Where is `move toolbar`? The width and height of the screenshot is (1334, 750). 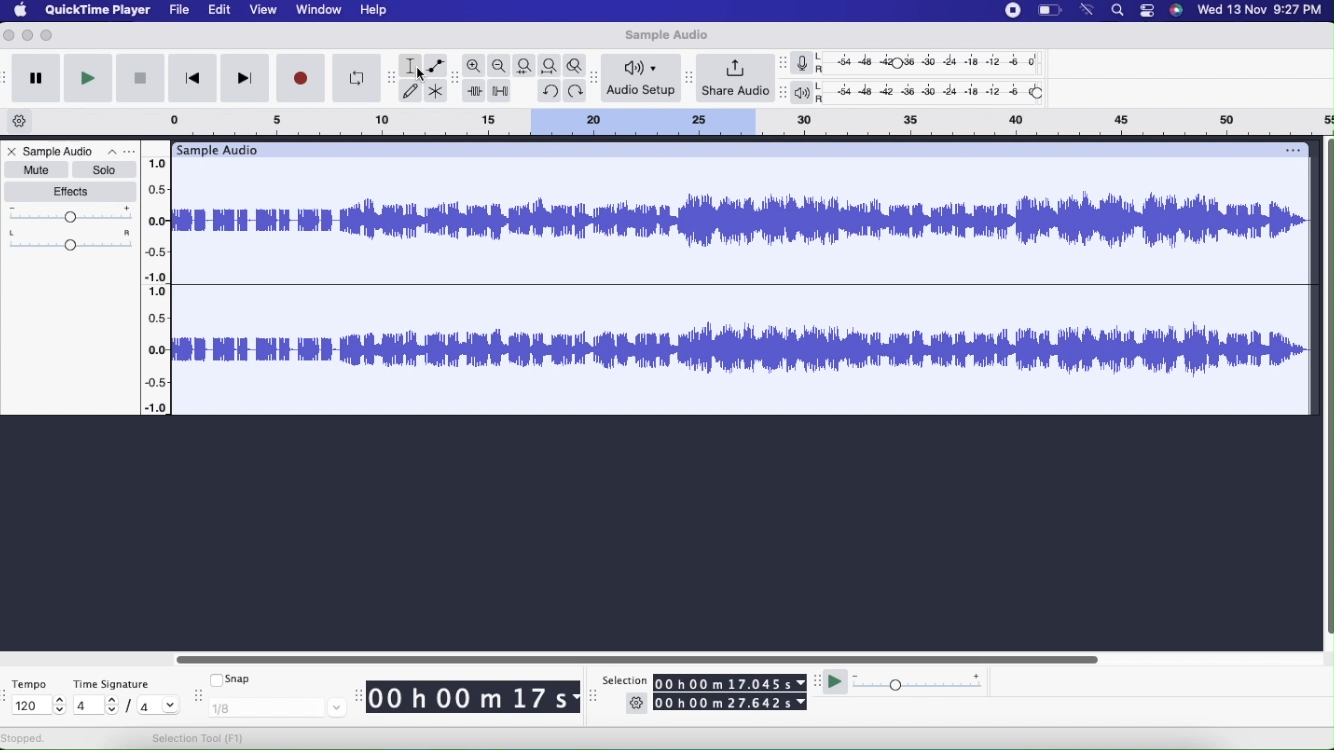
move toolbar is located at coordinates (816, 680).